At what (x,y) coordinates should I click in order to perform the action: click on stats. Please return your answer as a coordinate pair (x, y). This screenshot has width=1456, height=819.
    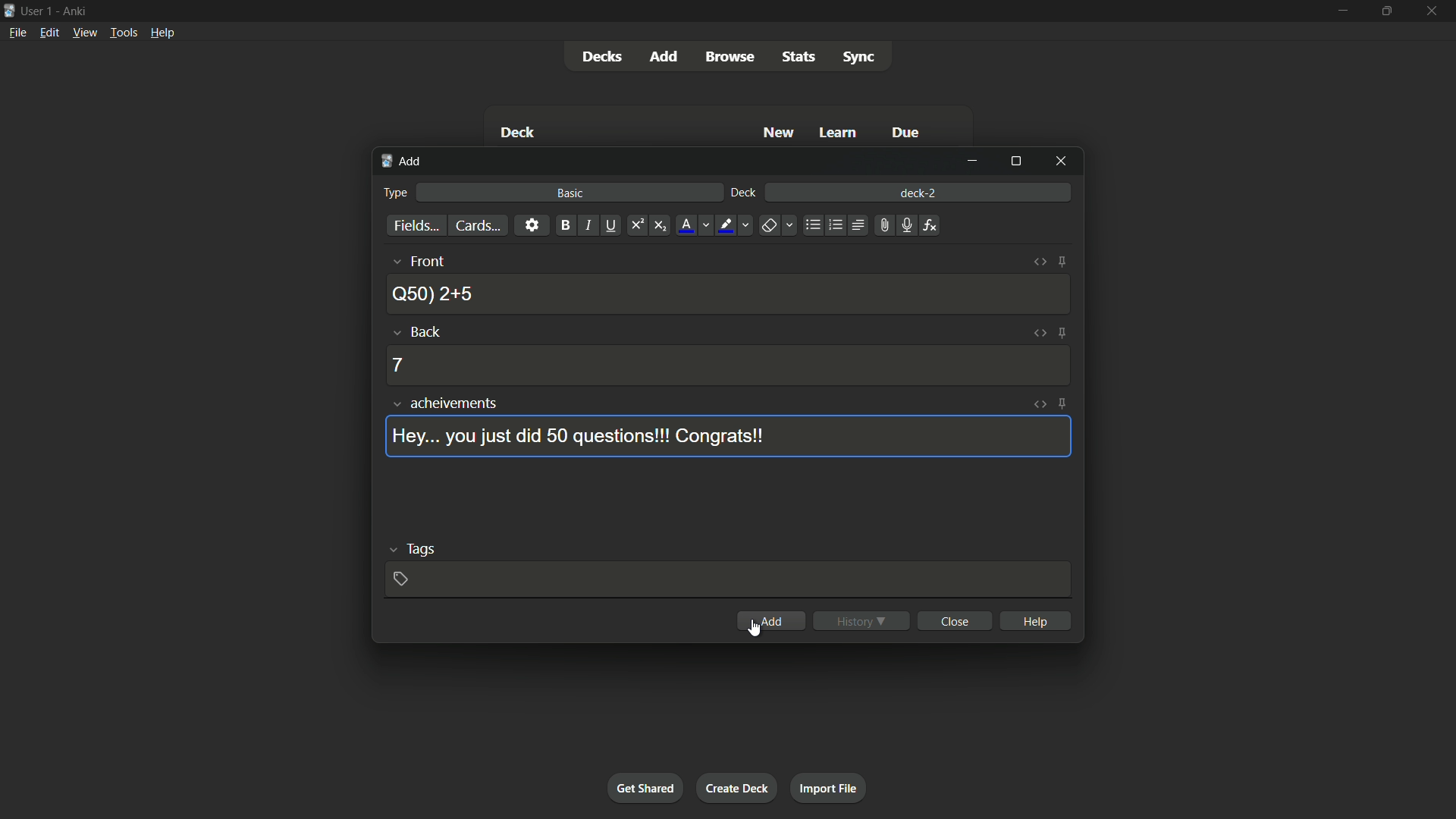
    Looking at the image, I should click on (802, 58).